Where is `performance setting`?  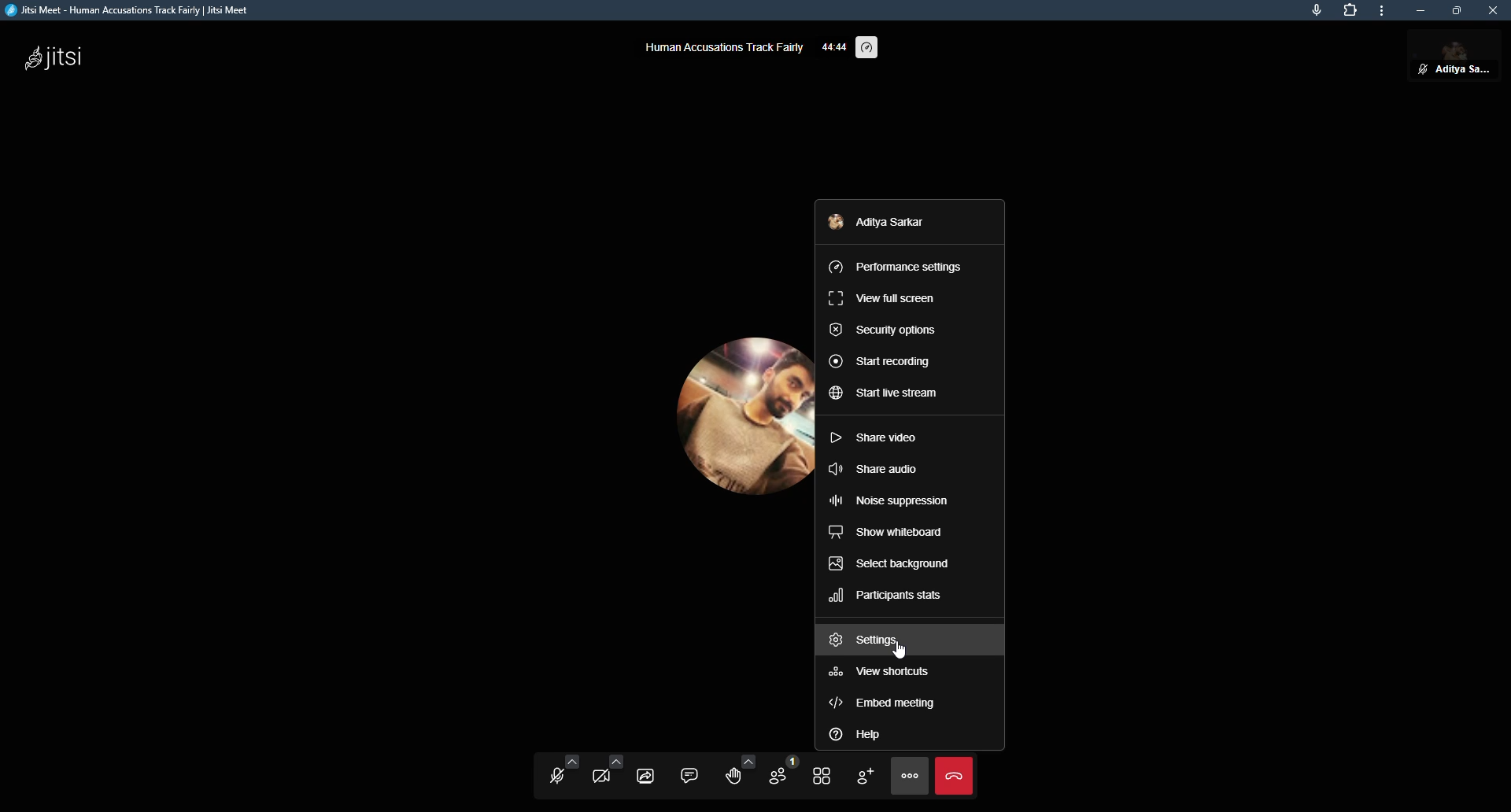
performance setting is located at coordinates (870, 48).